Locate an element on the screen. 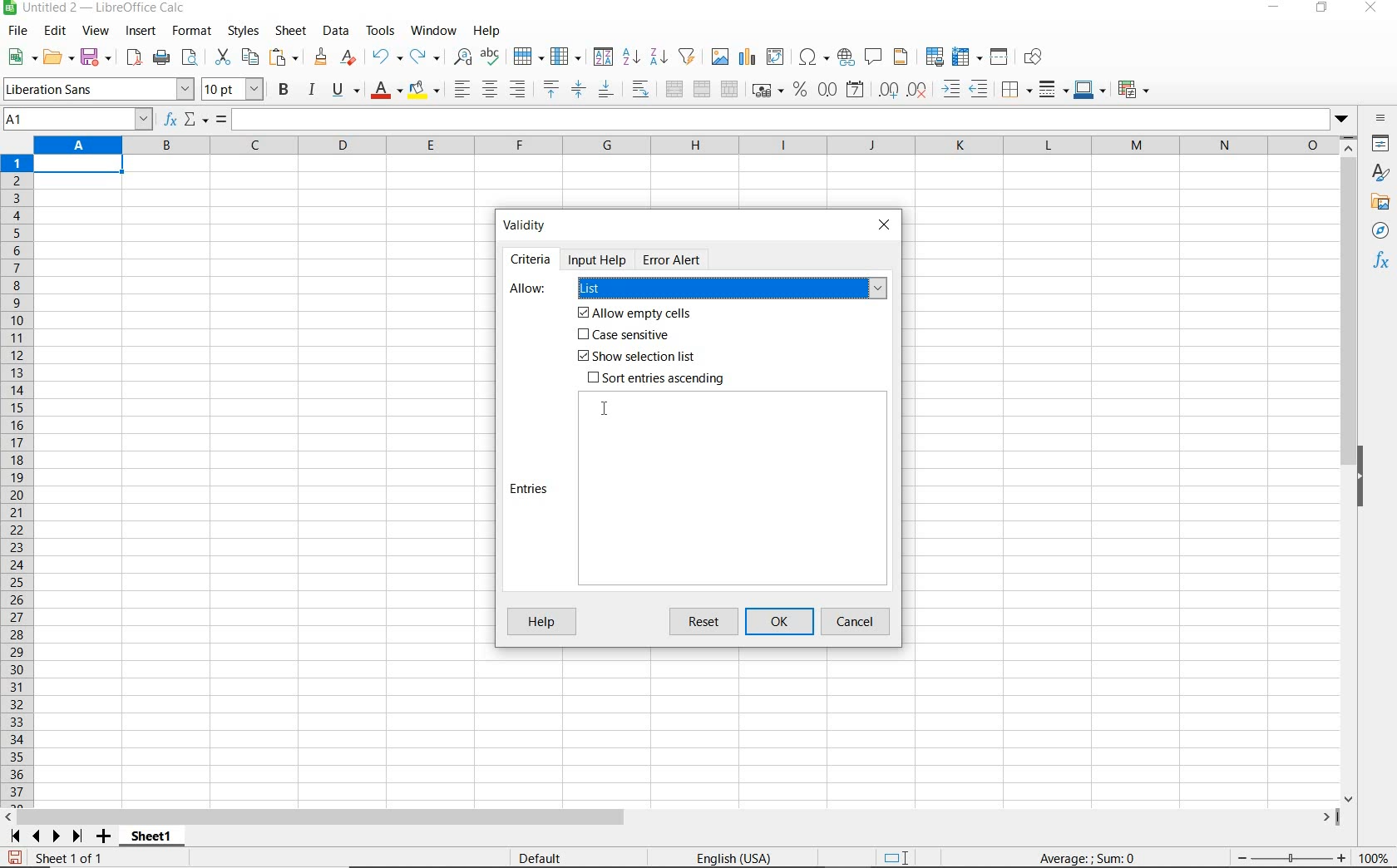 This screenshot has width=1397, height=868. spelling is located at coordinates (492, 57).